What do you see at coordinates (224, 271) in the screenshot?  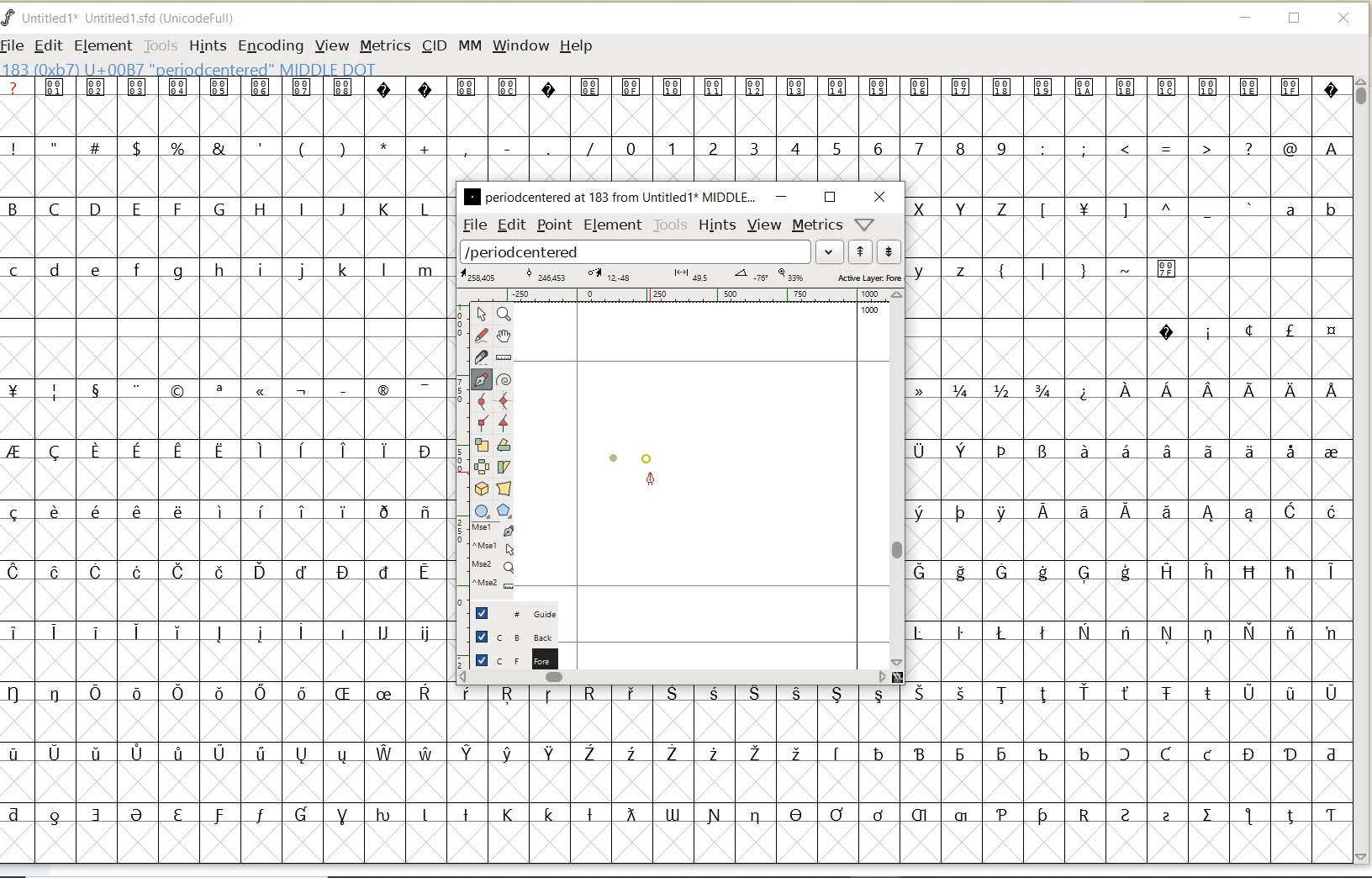 I see `lowercase letters` at bounding box center [224, 271].